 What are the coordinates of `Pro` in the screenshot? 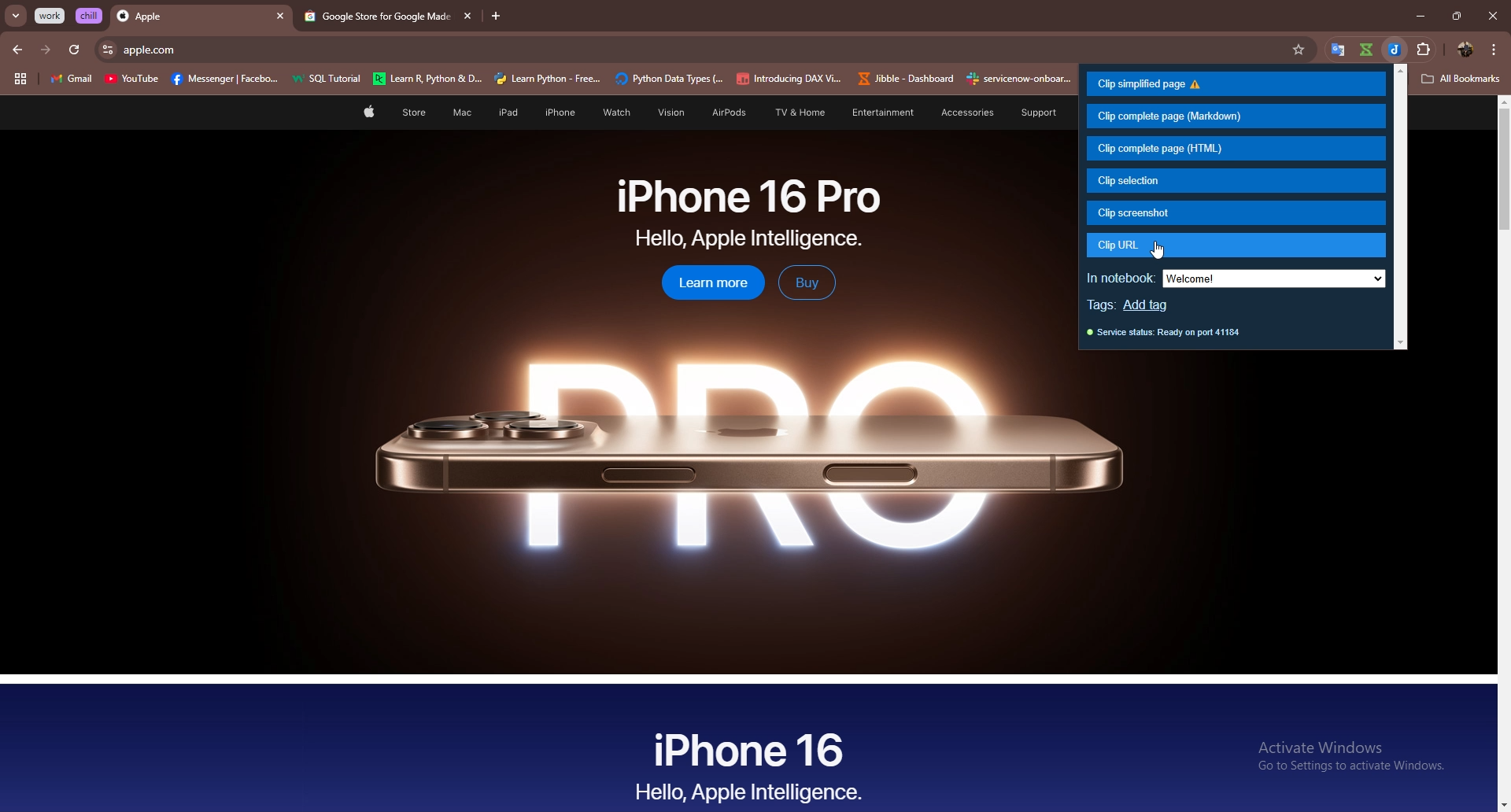 It's located at (744, 453).